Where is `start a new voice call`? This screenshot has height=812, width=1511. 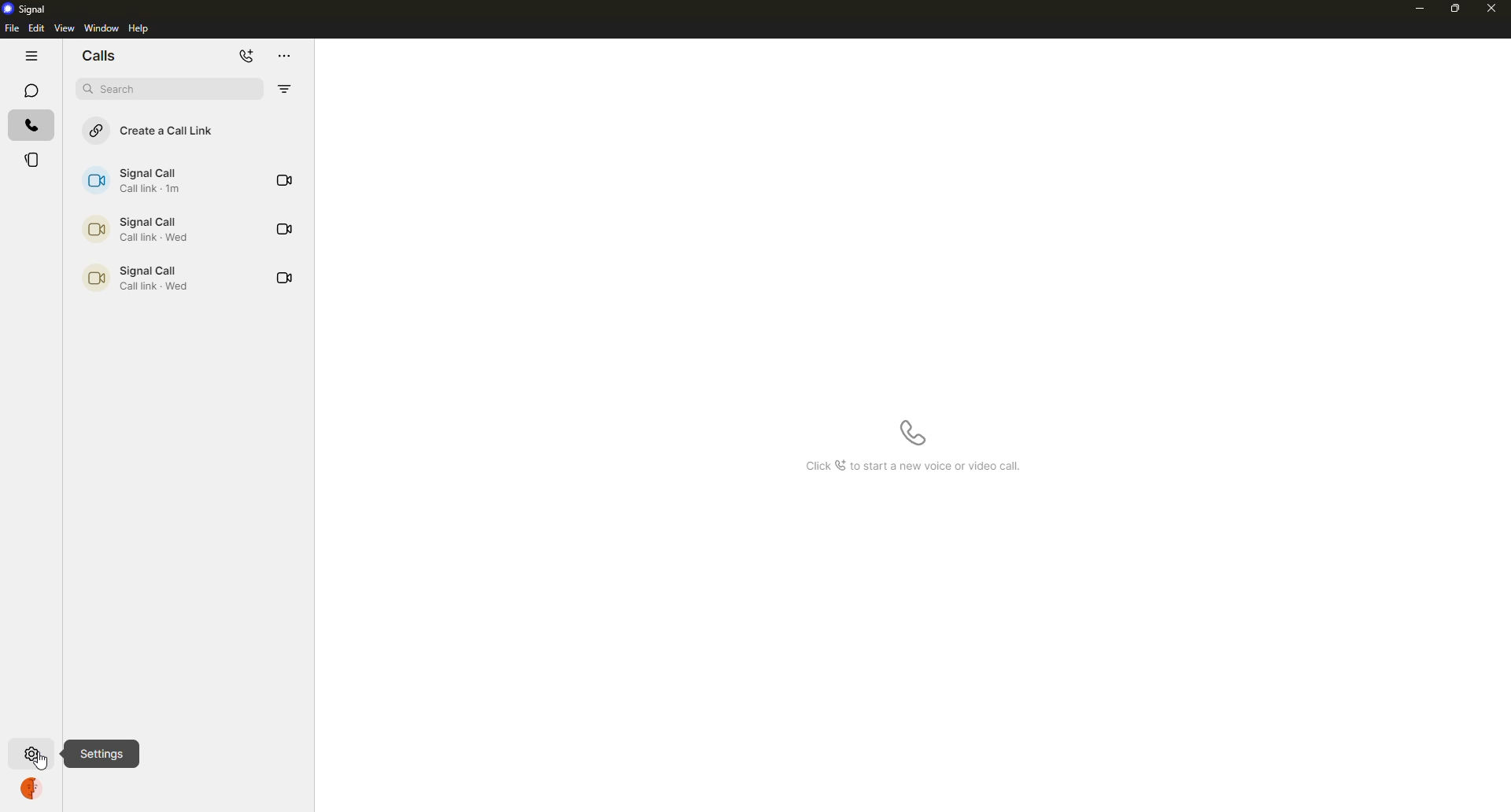
start a new voice call is located at coordinates (913, 434).